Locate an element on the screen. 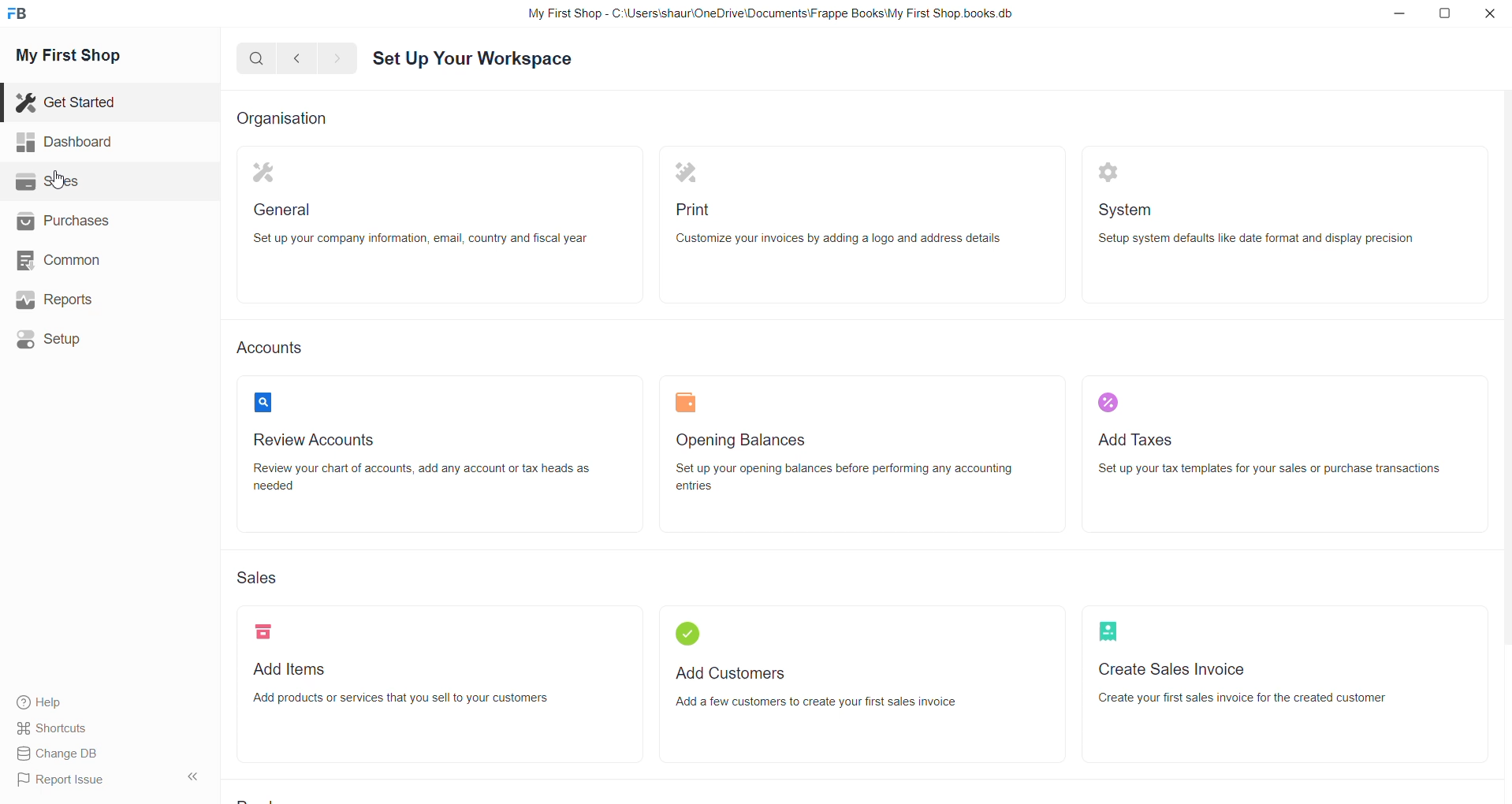 The height and width of the screenshot is (804, 1512). Print  is located at coordinates (858, 225).